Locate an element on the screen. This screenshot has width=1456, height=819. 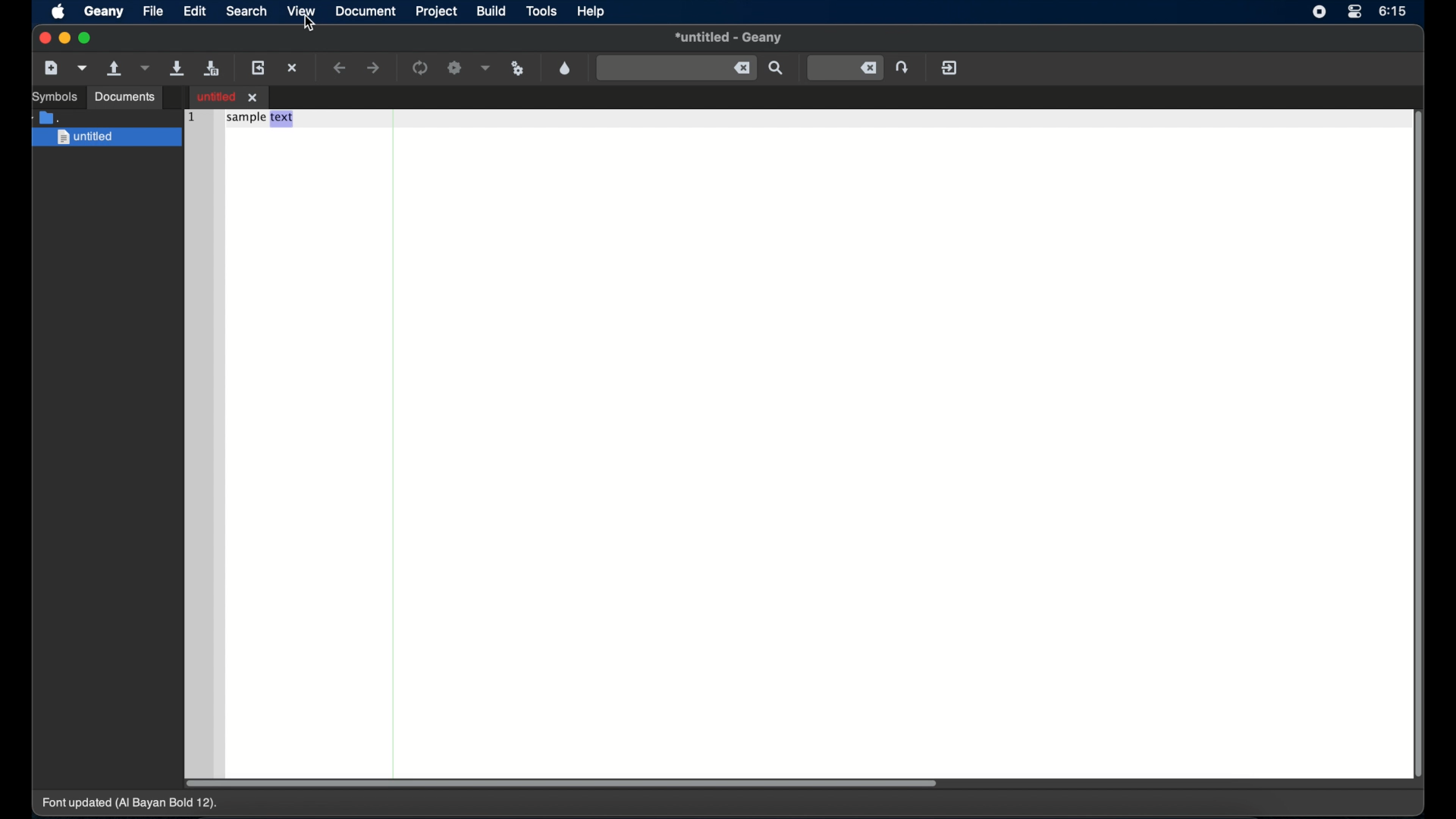
untitled file is located at coordinates (229, 96).